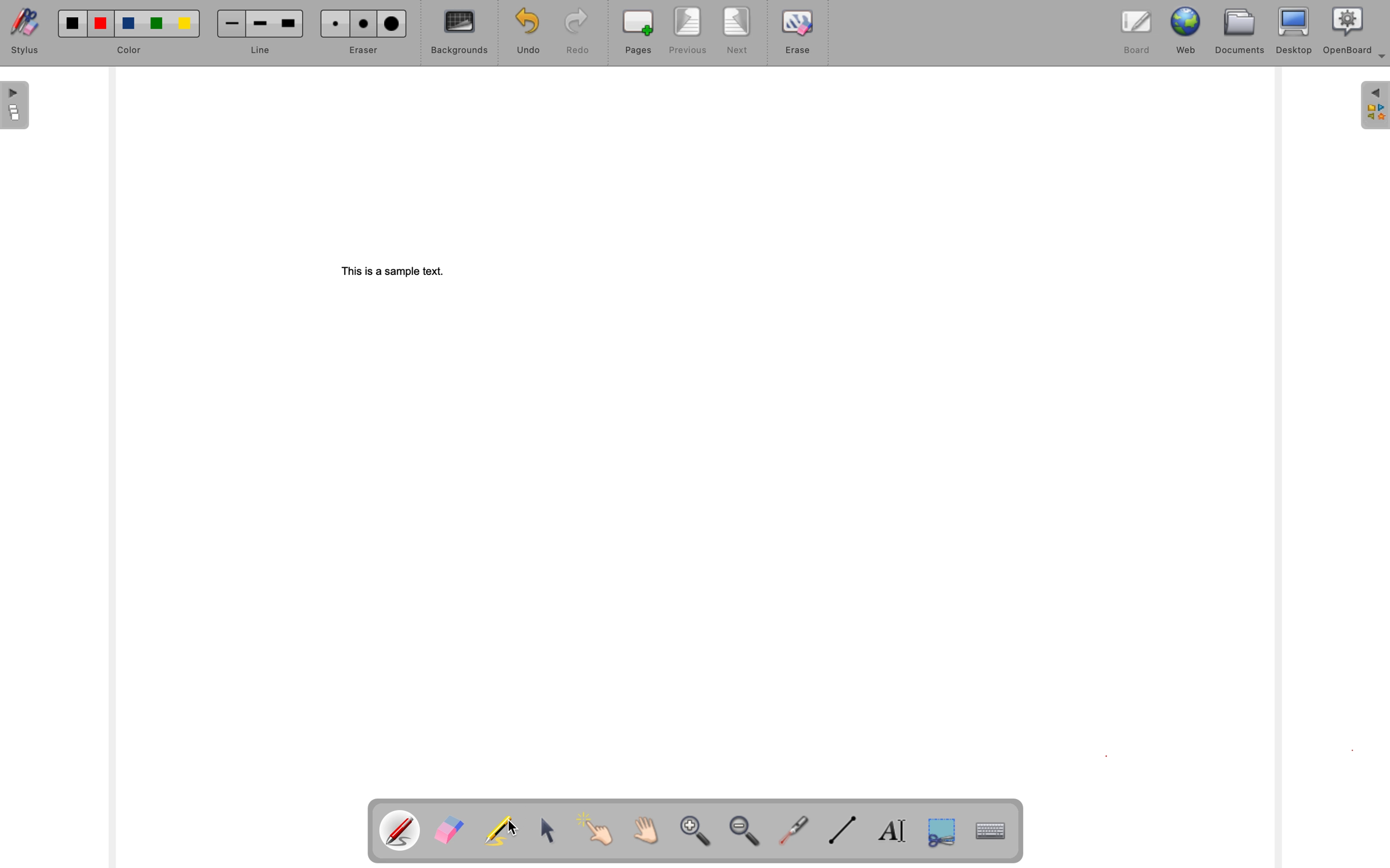 The image size is (1390, 868). What do you see at coordinates (451, 827) in the screenshot?
I see `Erase annotation` at bounding box center [451, 827].